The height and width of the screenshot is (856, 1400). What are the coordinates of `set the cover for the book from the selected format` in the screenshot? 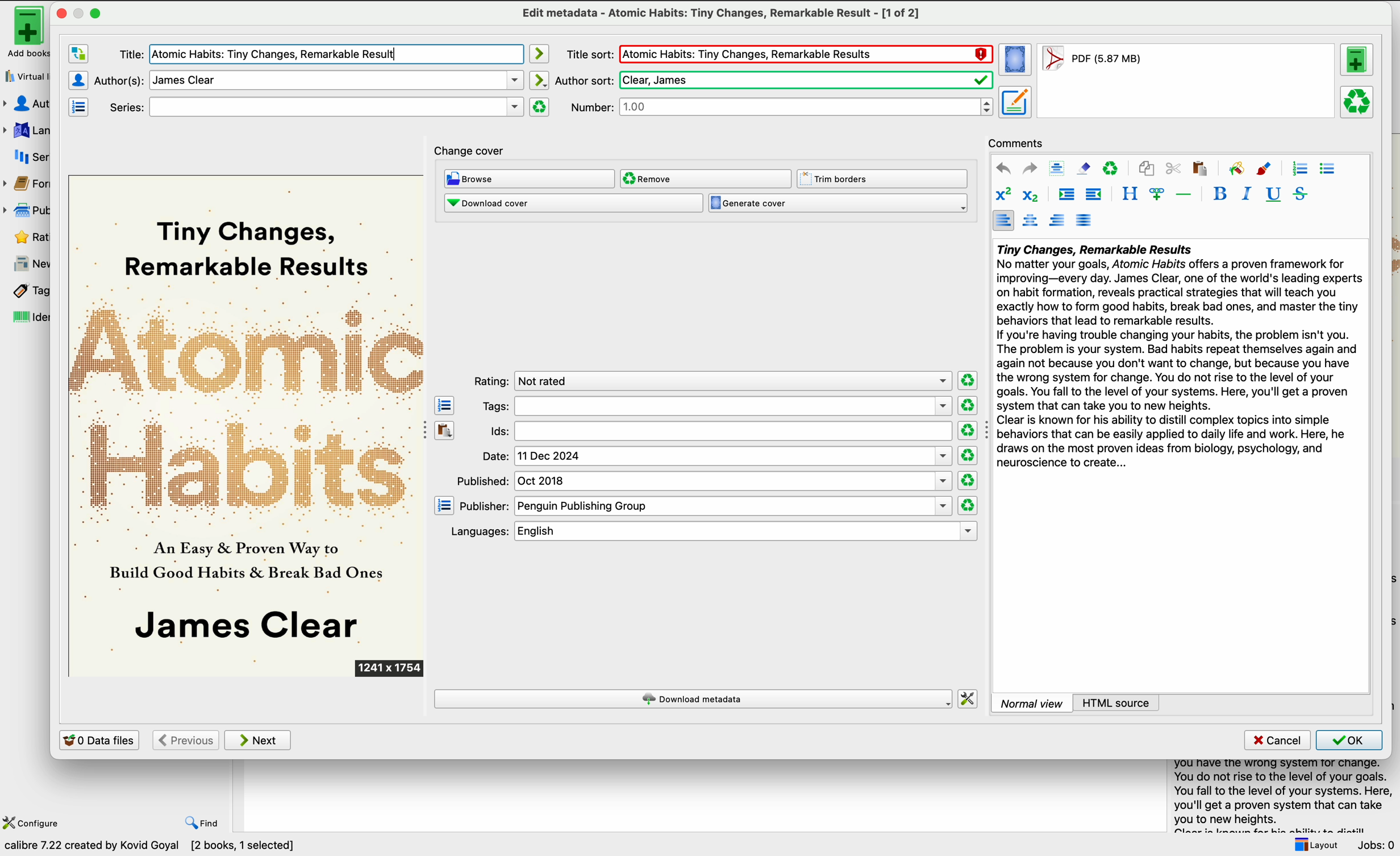 It's located at (1016, 61).